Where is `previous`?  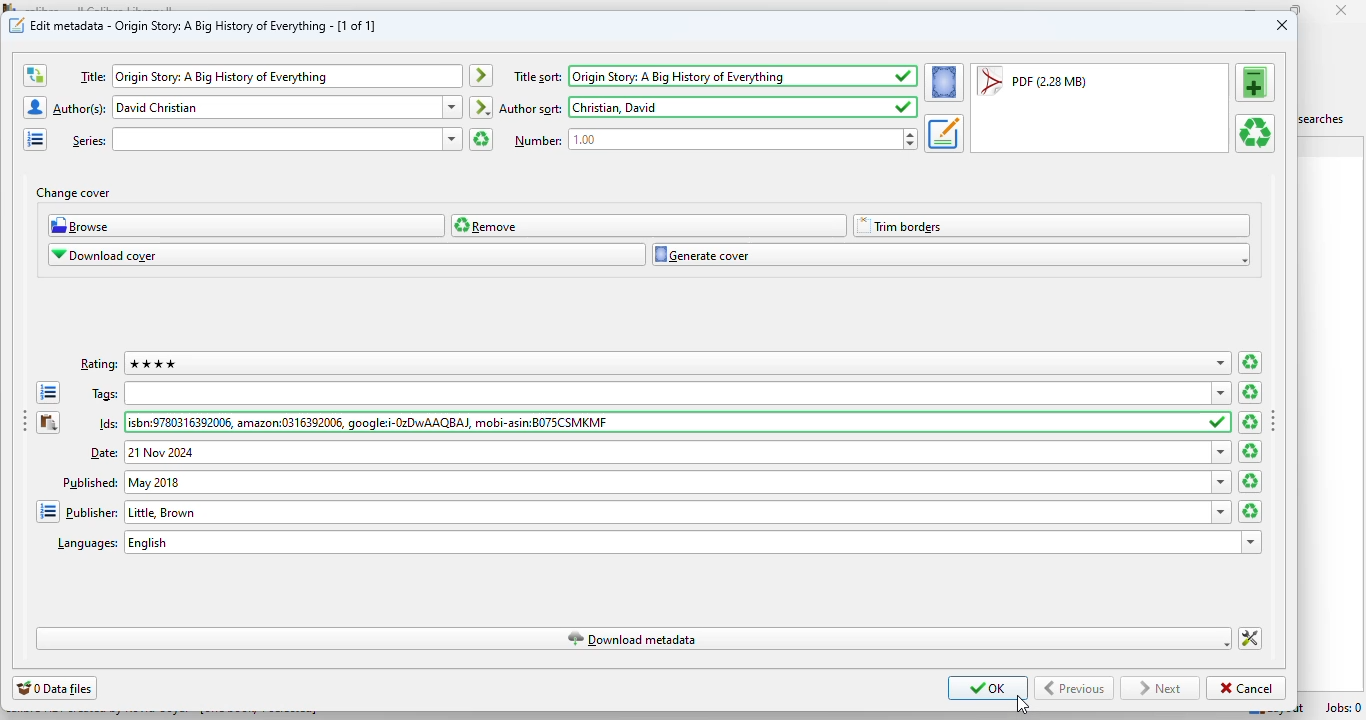 previous is located at coordinates (1074, 688).